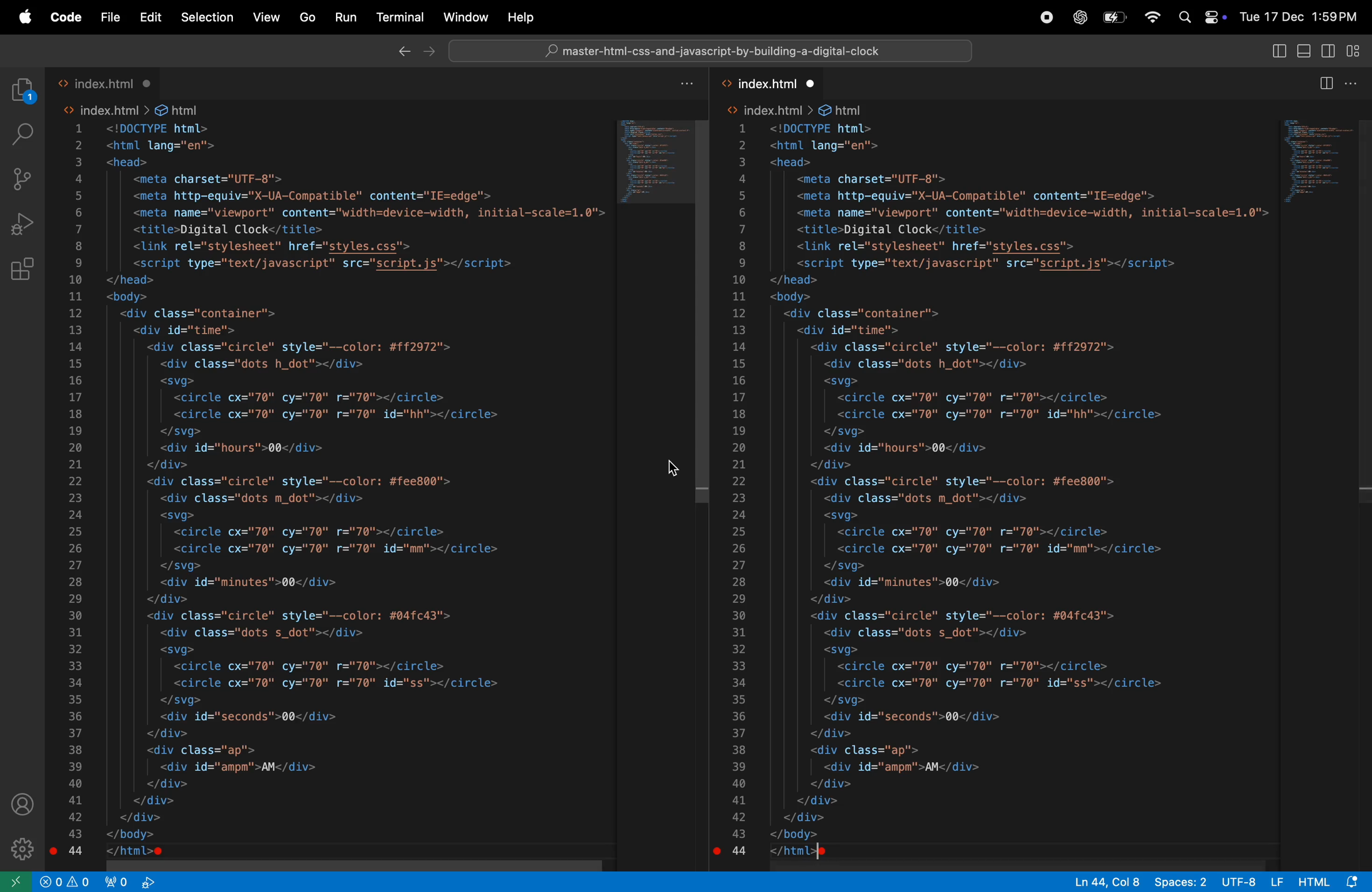 Image resolution: width=1372 pixels, height=892 pixels. Describe the element at coordinates (1328, 53) in the screenshot. I see `toggle secondary panel` at that location.